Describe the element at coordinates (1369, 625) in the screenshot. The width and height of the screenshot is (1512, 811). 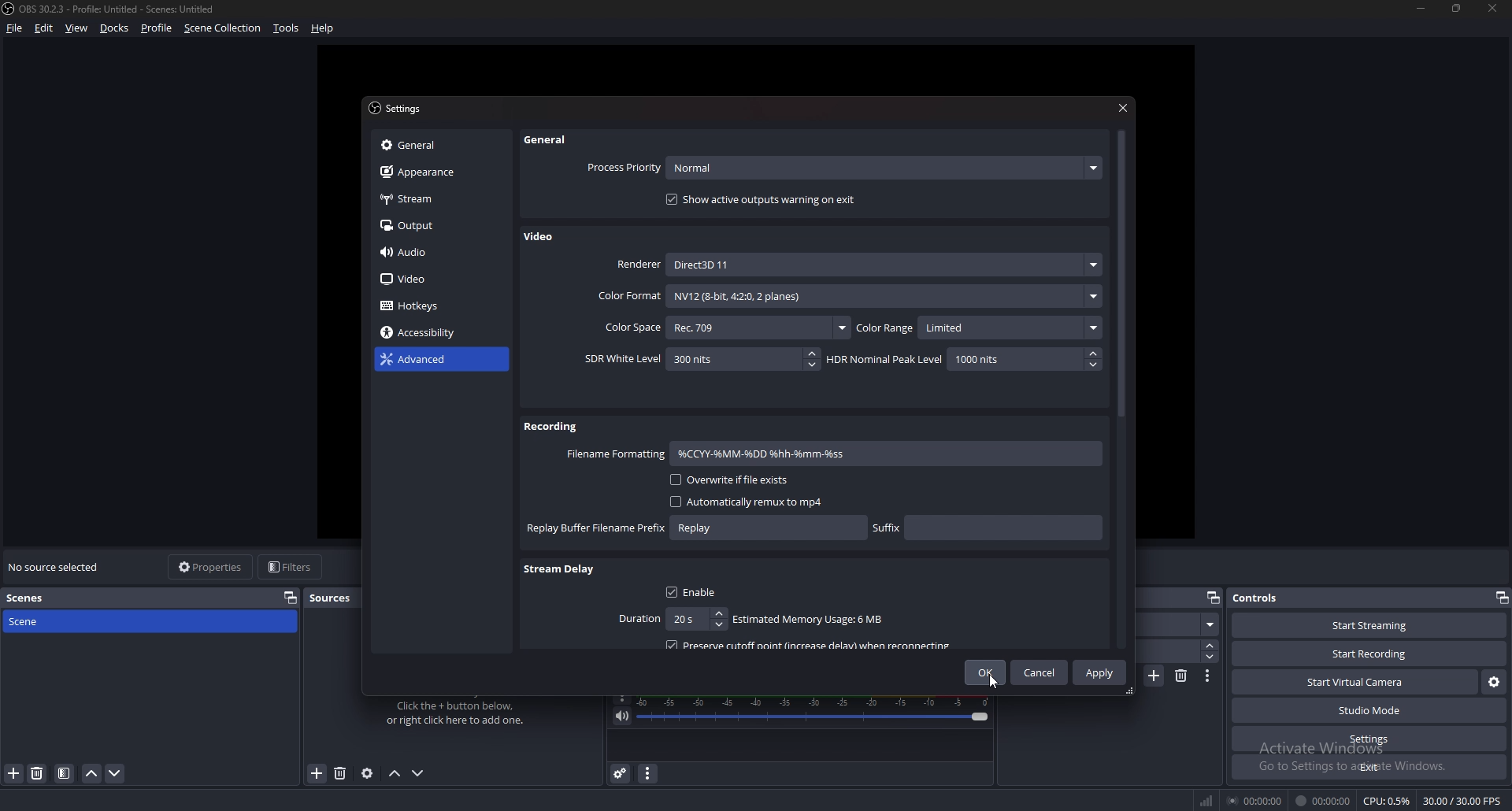
I see `start streaming` at that location.